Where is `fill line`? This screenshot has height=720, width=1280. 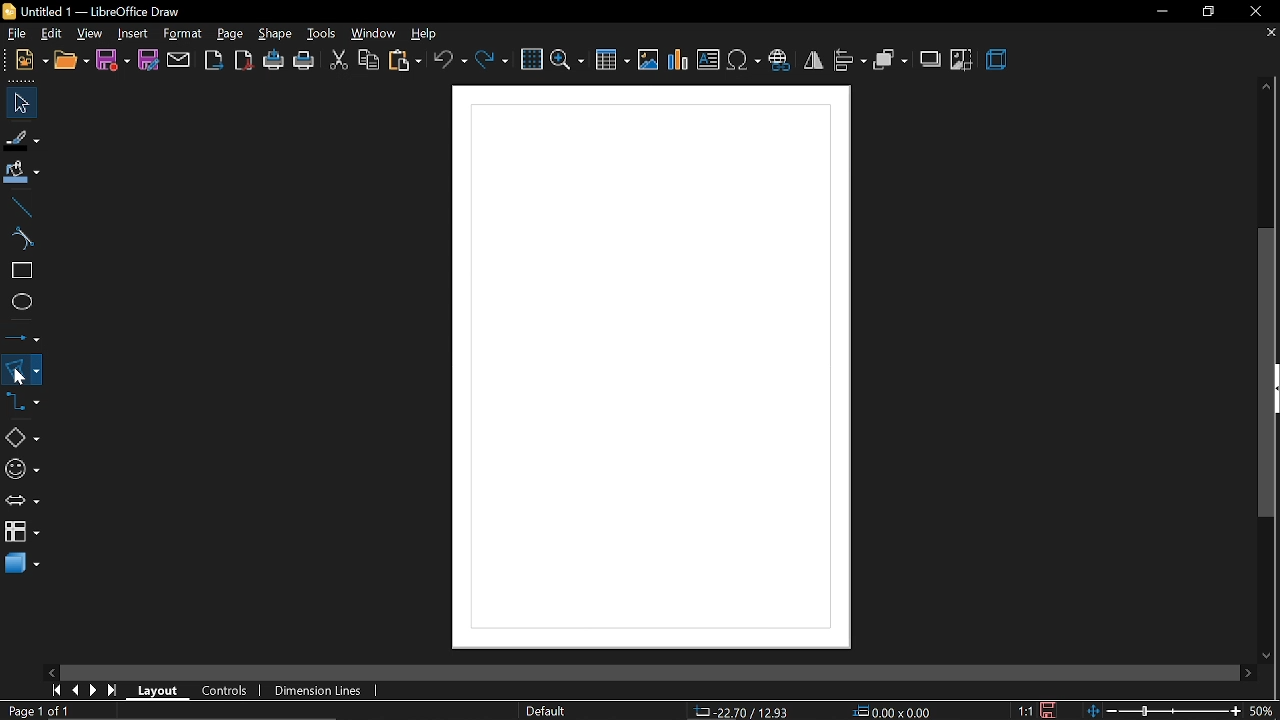
fill line is located at coordinates (20, 138).